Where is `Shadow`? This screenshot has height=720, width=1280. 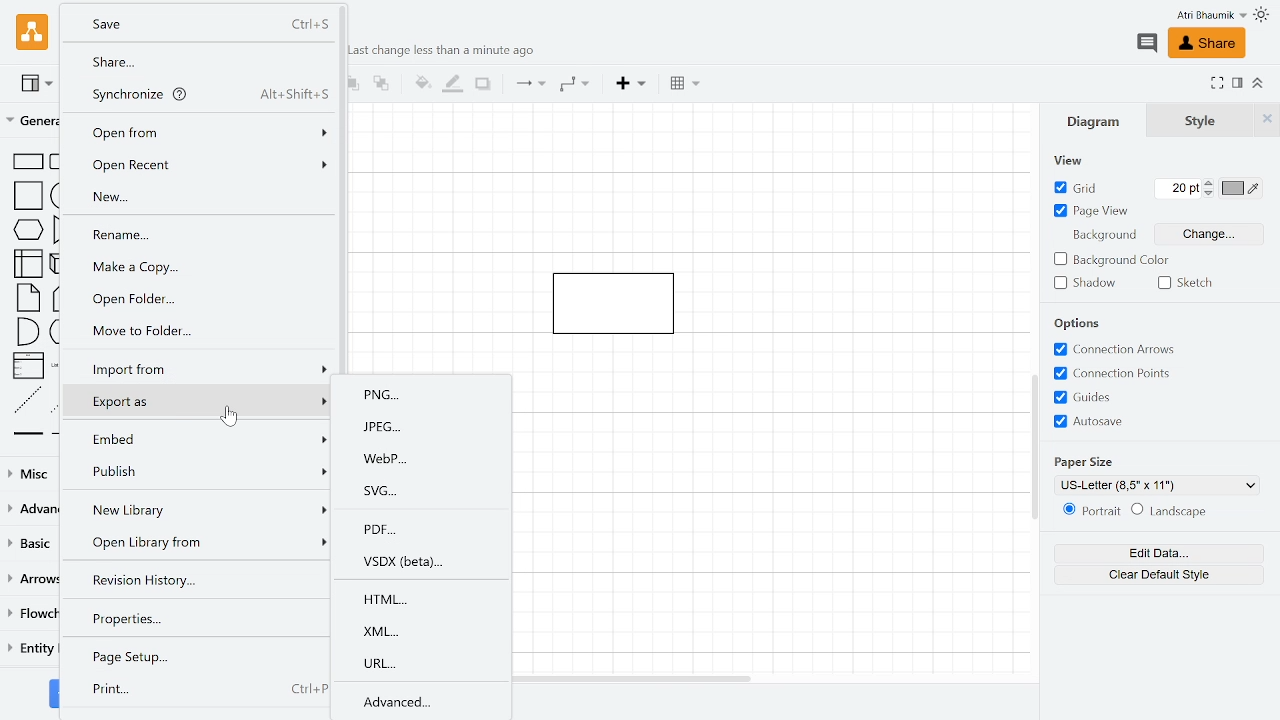 Shadow is located at coordinates (1084, 283).